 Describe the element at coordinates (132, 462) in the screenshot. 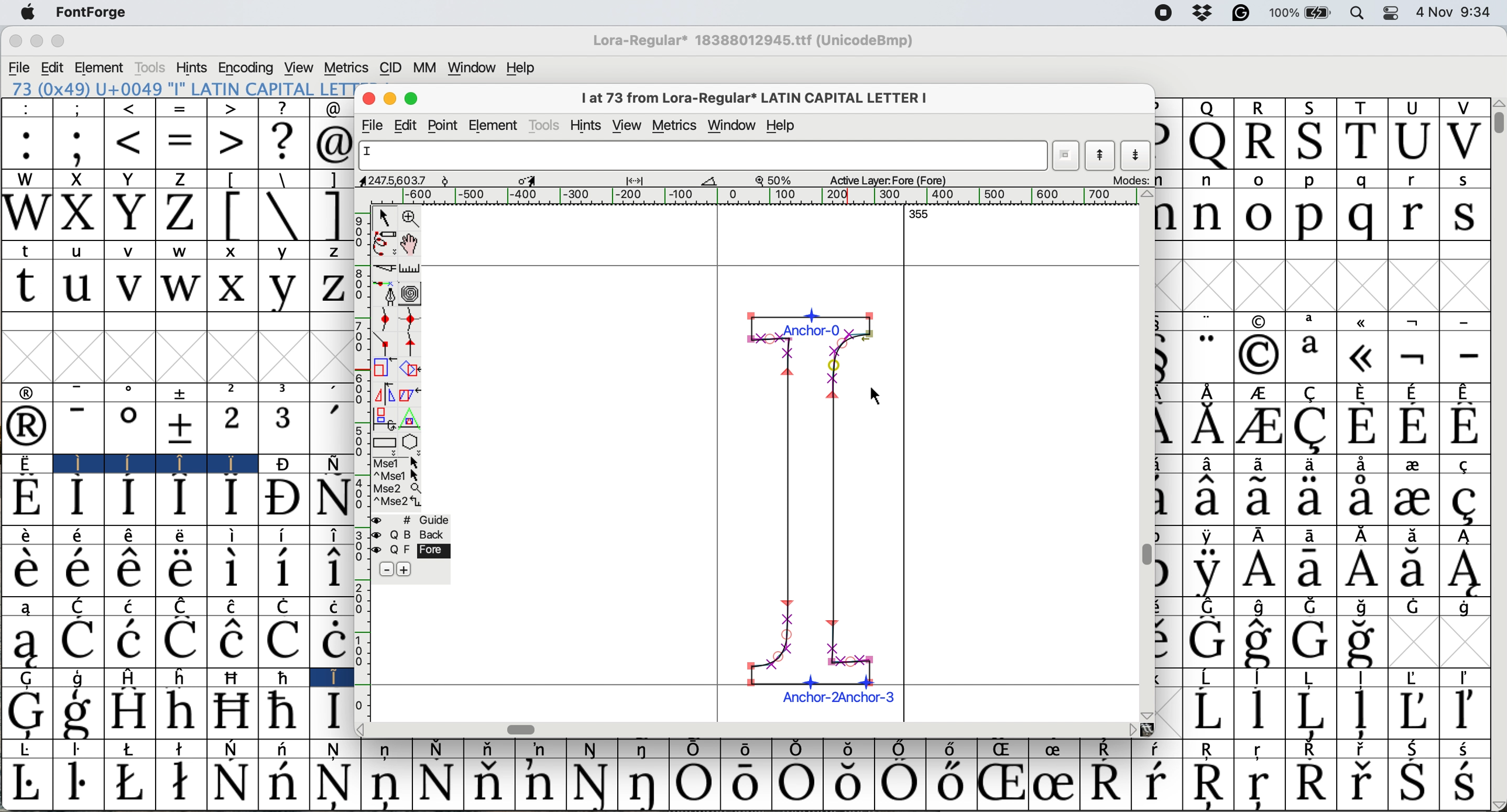

I see `Symbol` at that location.